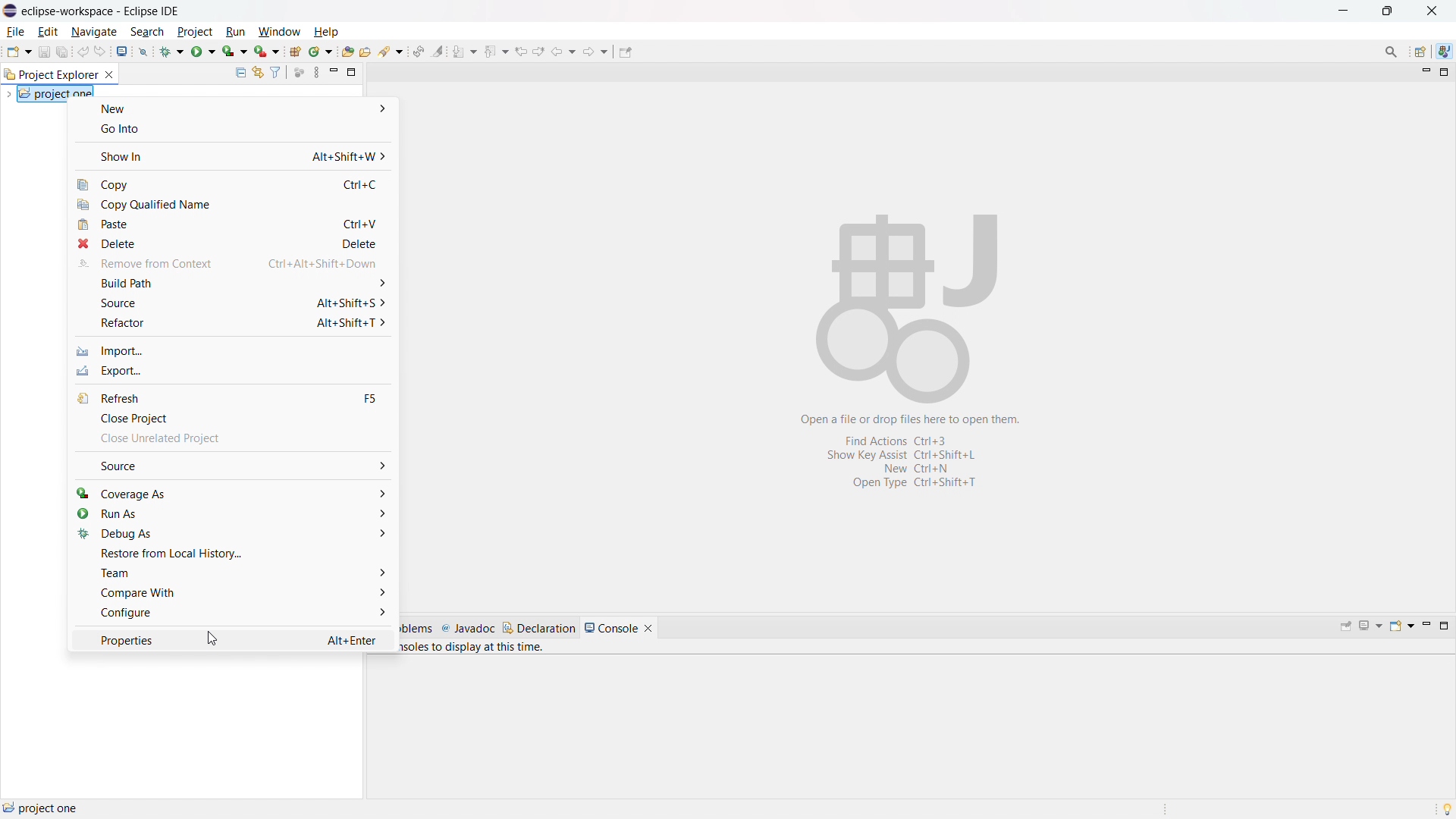 This screenshot has width=1456, height=819. I want to click on run as, so click(231, 513).